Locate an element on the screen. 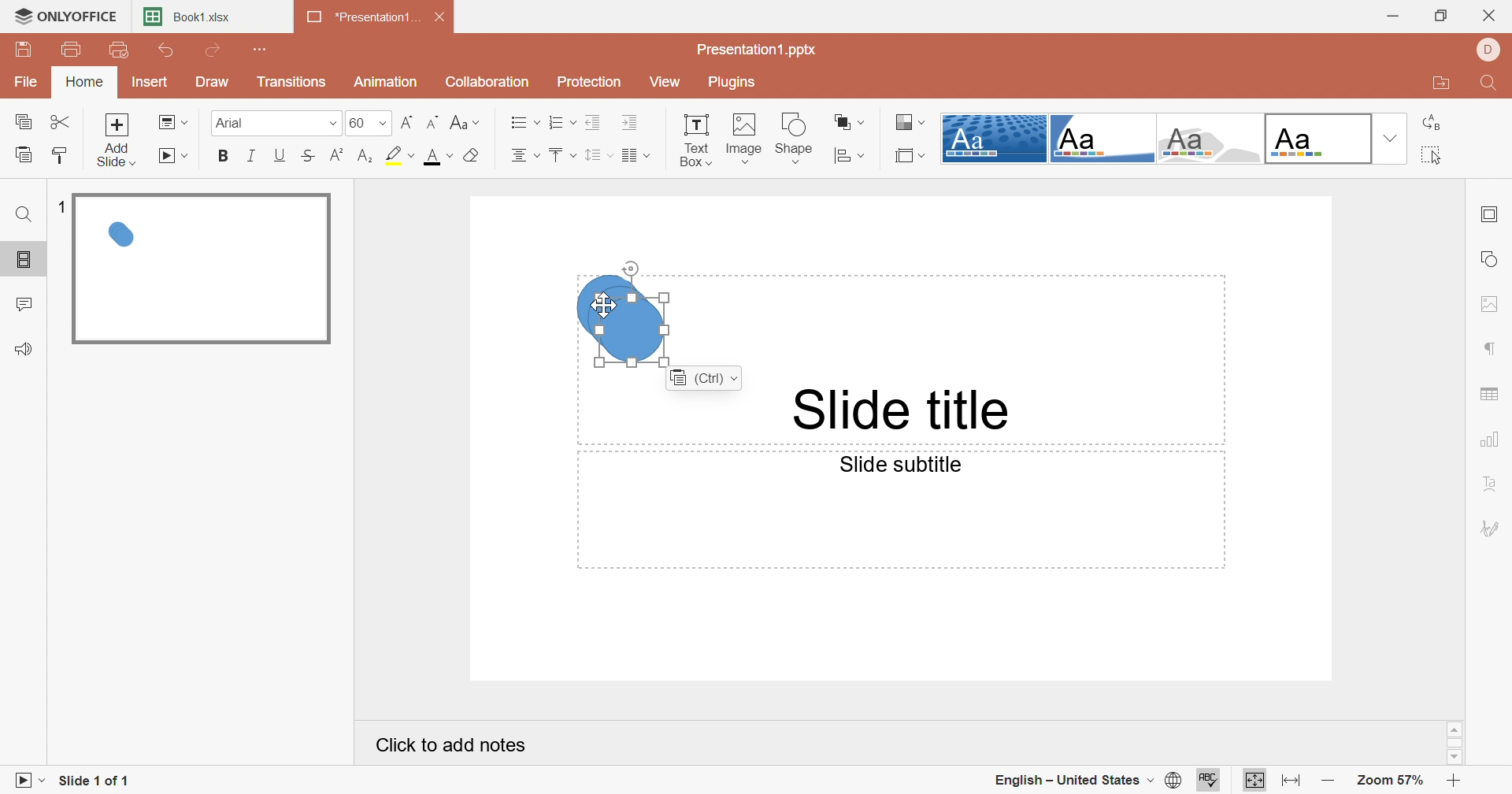 The height and width of the screenshot is (794, 1512). Clear style is located at coordinates (473, 157).